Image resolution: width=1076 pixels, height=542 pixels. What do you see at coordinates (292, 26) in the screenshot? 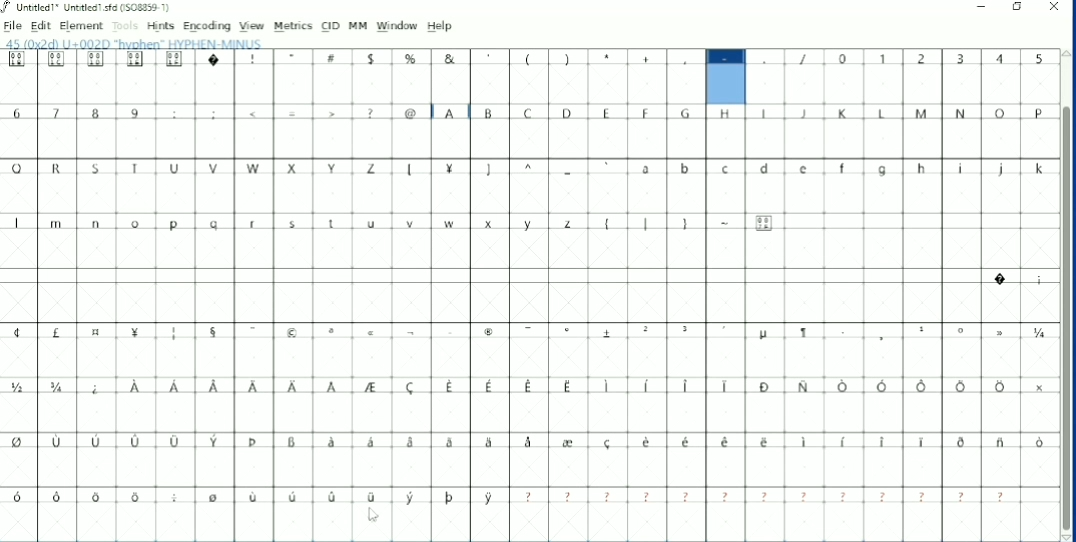
I see `Metrics` at bounding box center [292, 26].